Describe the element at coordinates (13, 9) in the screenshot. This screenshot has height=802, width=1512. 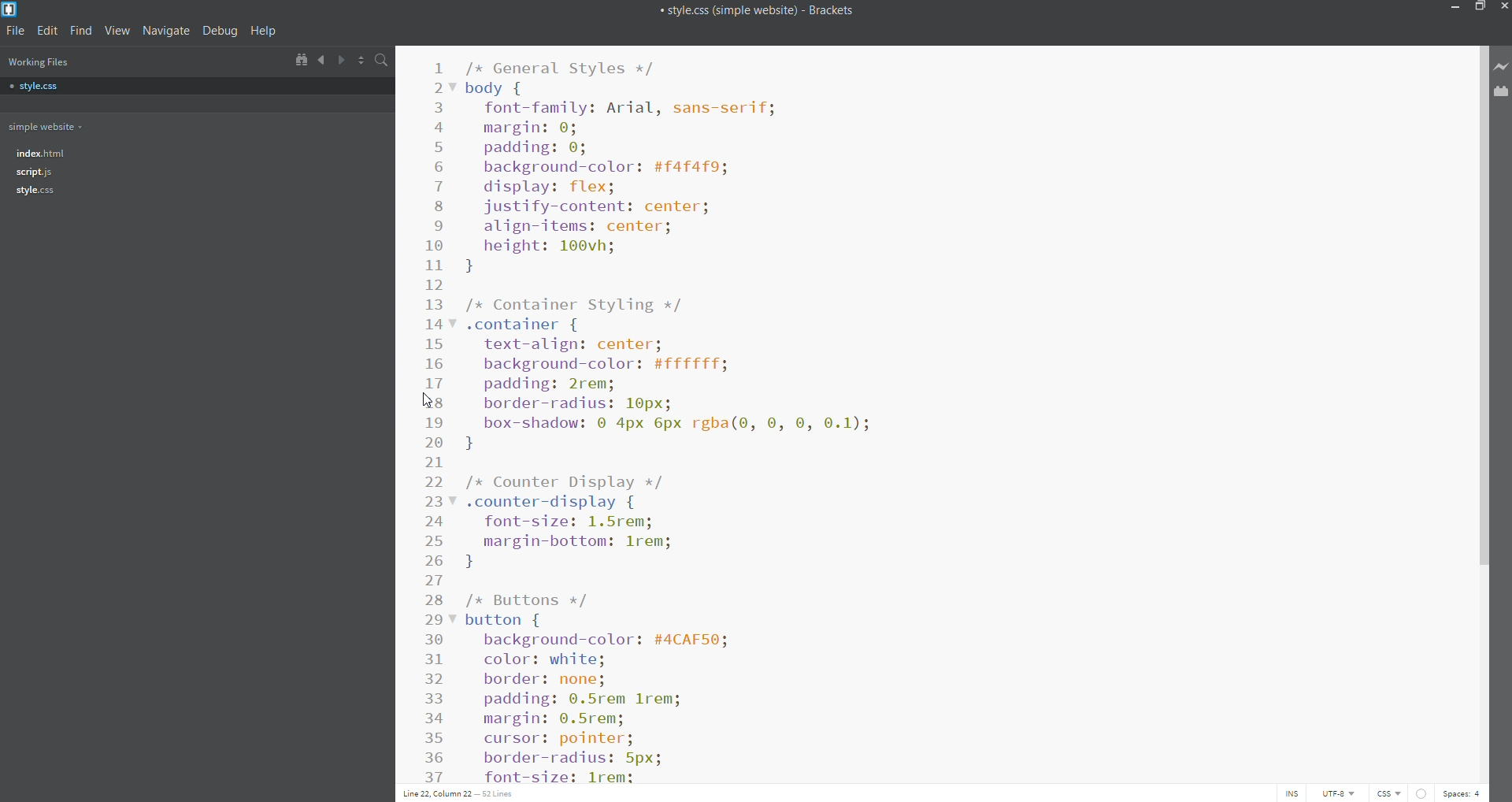
I see `brackets` at that location.